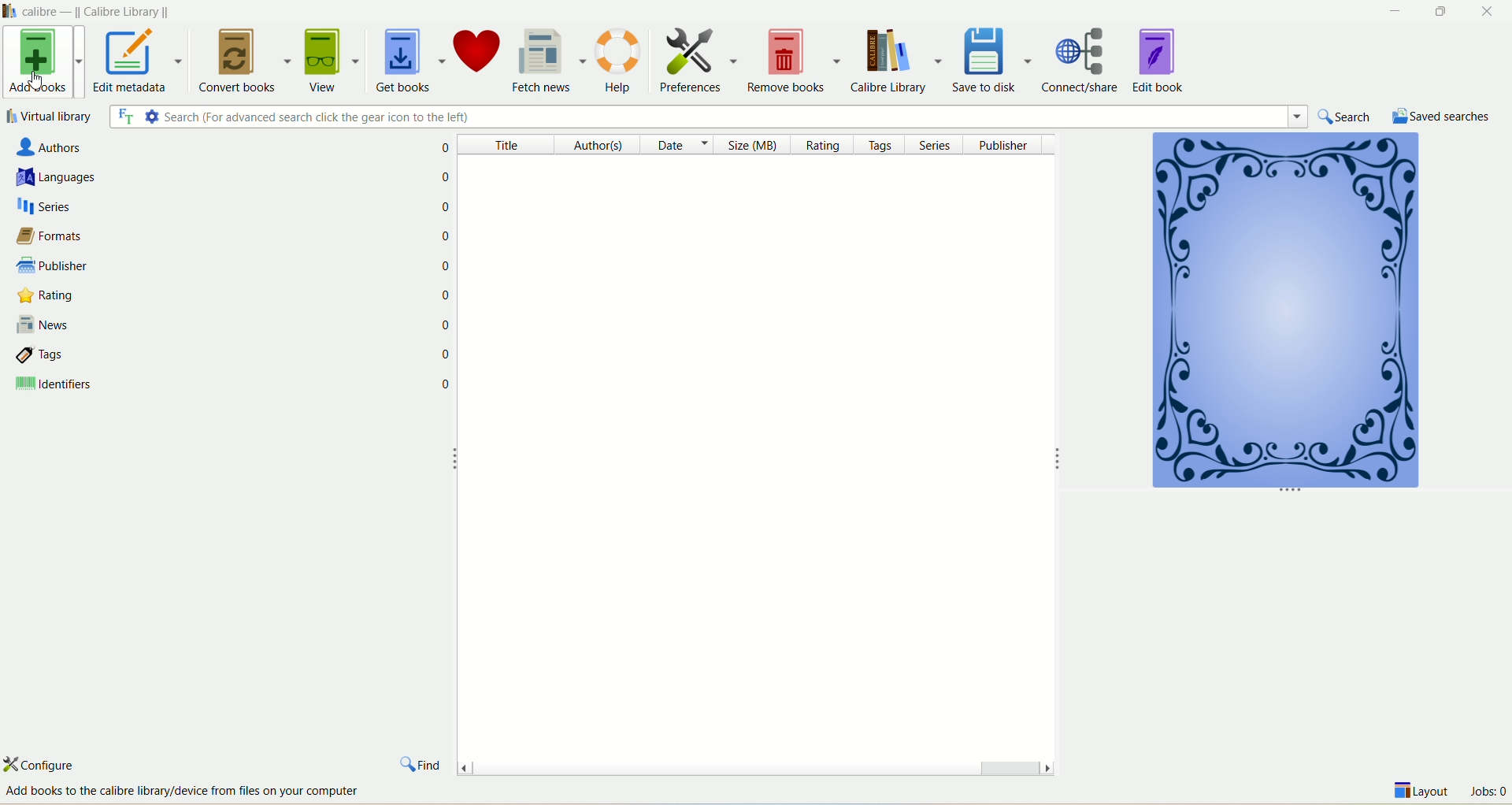 Image resolution: width=1512 pixels, height=805 pixels. I want to click on rating, so click(210, 297).